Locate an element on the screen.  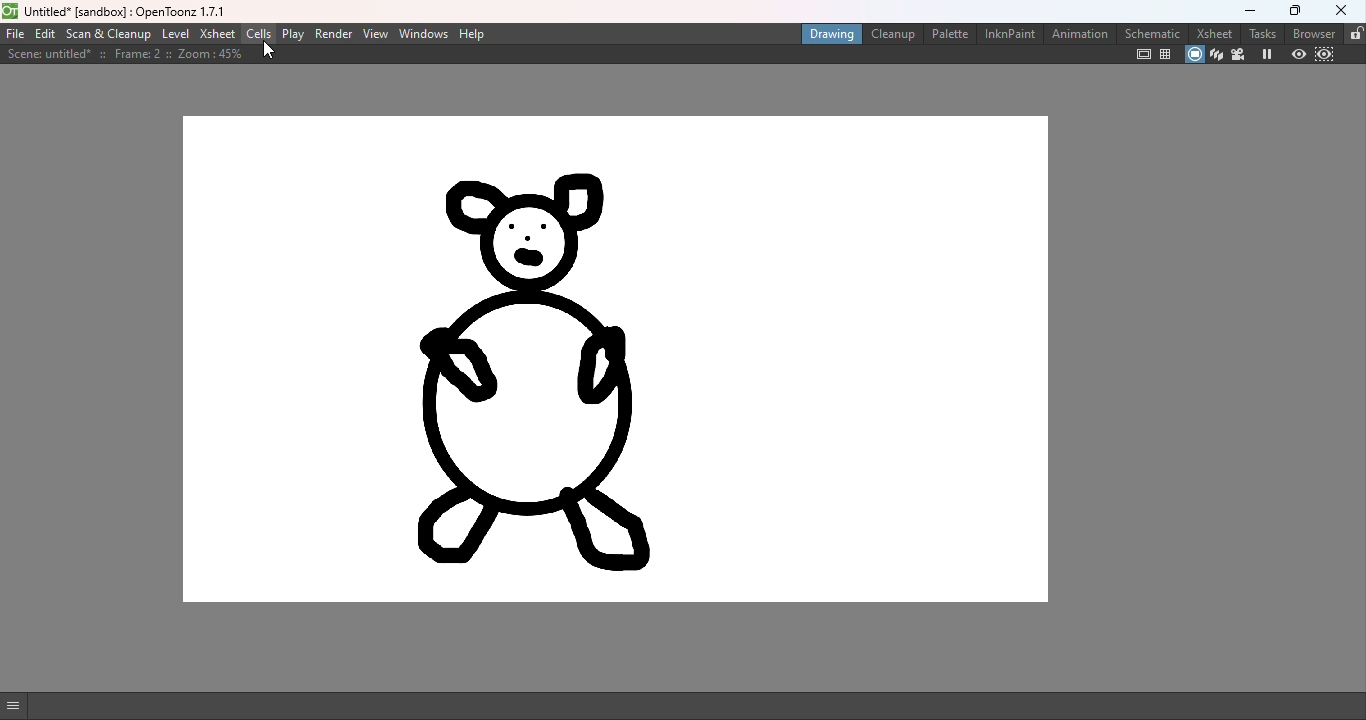
Scene details is located at coordinates (128, 55).